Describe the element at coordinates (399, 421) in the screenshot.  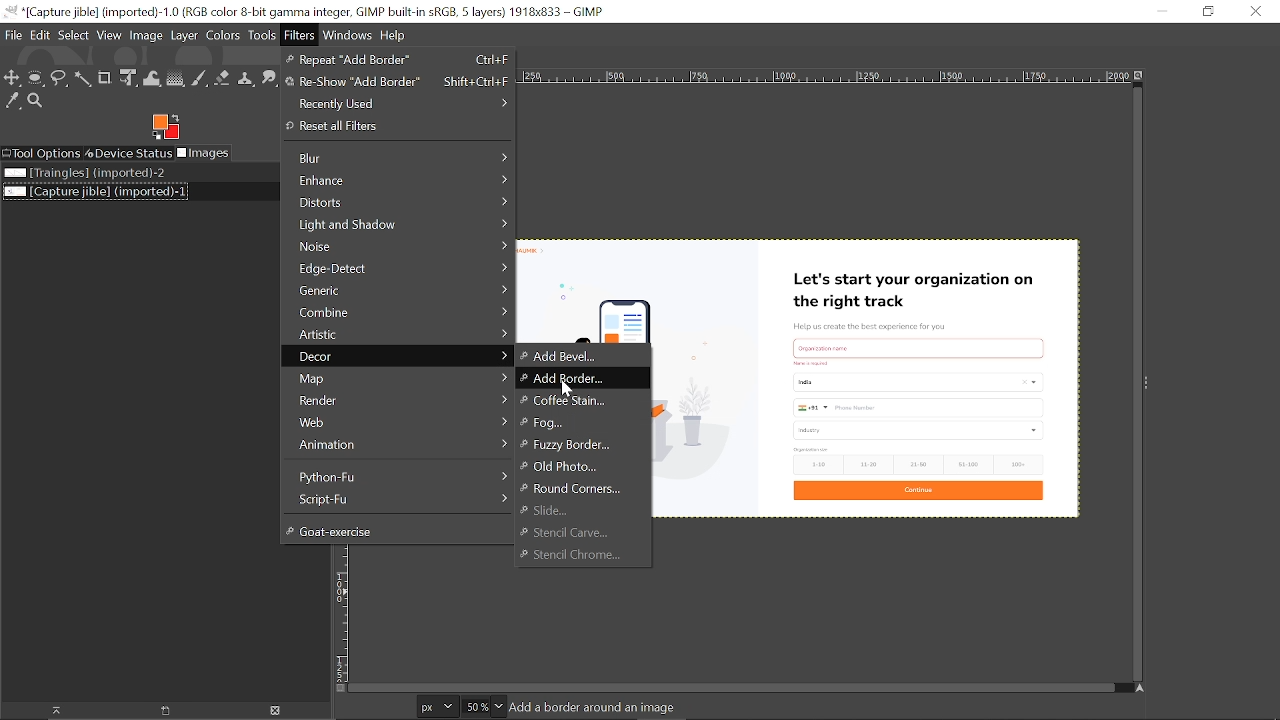
I see `Web` at that location.